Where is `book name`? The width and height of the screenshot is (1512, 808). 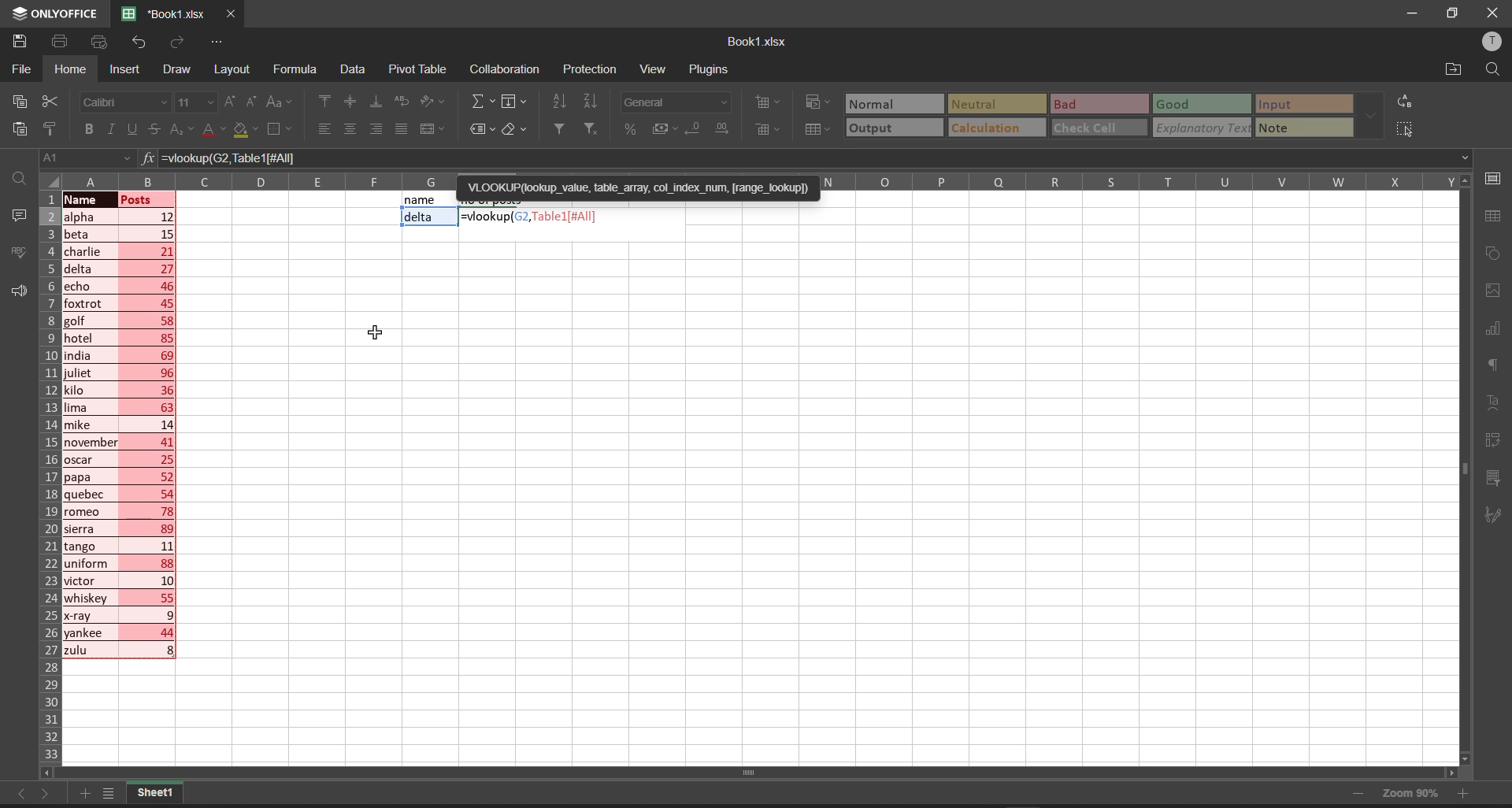
book name is located at coordinates (755, 42).